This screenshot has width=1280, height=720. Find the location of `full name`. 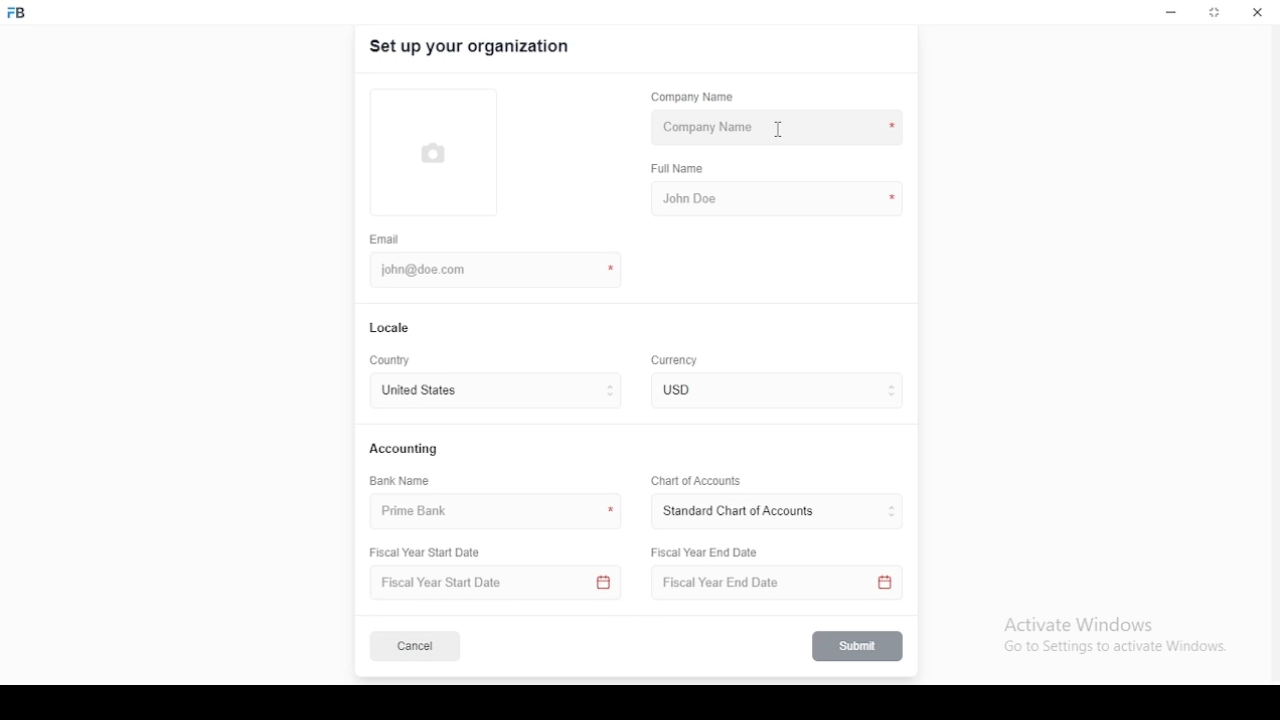

full name is located at coordinates (683, 169).